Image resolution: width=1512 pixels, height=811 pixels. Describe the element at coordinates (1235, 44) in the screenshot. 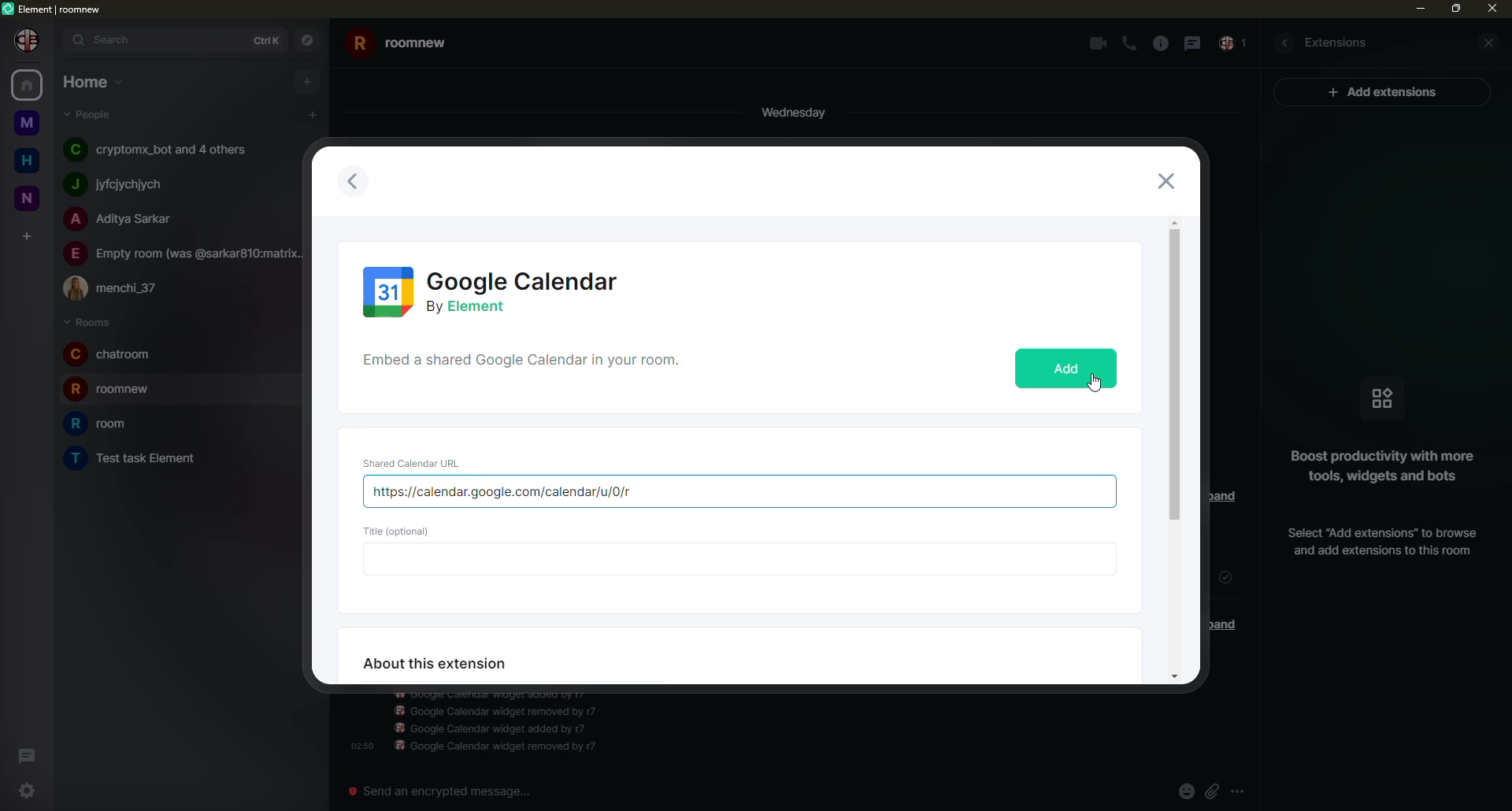

I see `inbox` at that location.